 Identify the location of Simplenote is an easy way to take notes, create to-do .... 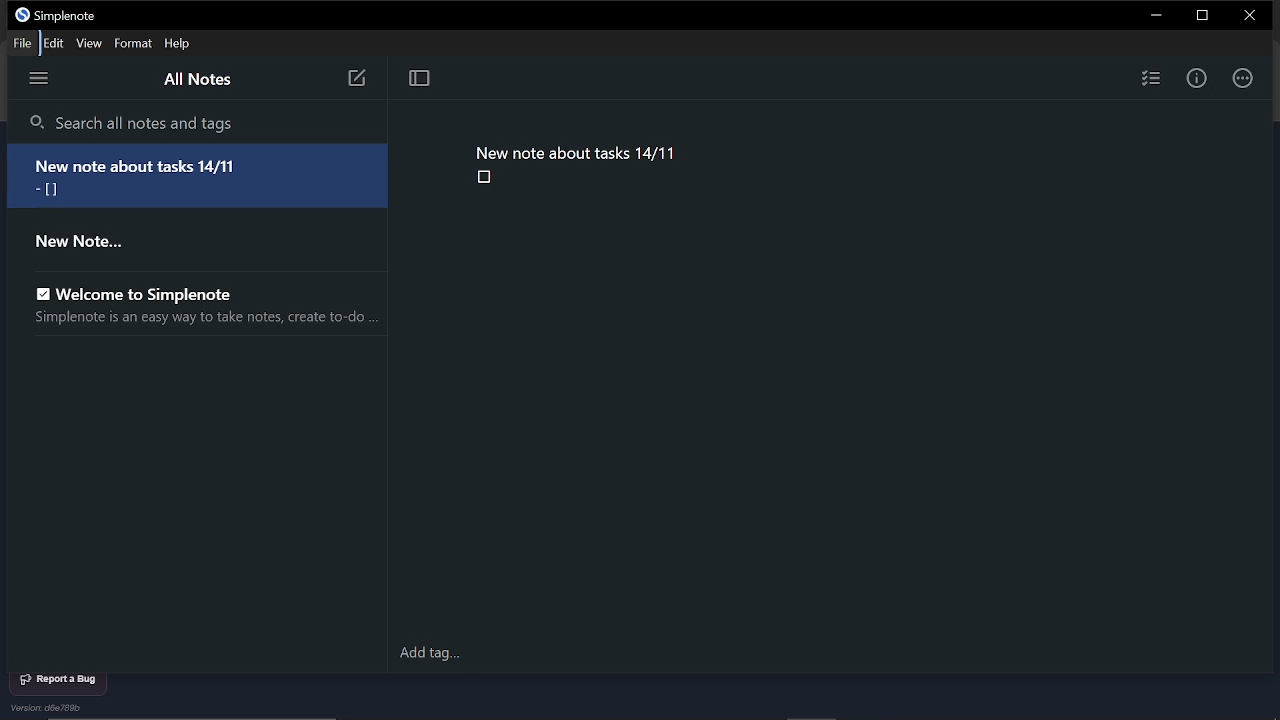
(201, 320).